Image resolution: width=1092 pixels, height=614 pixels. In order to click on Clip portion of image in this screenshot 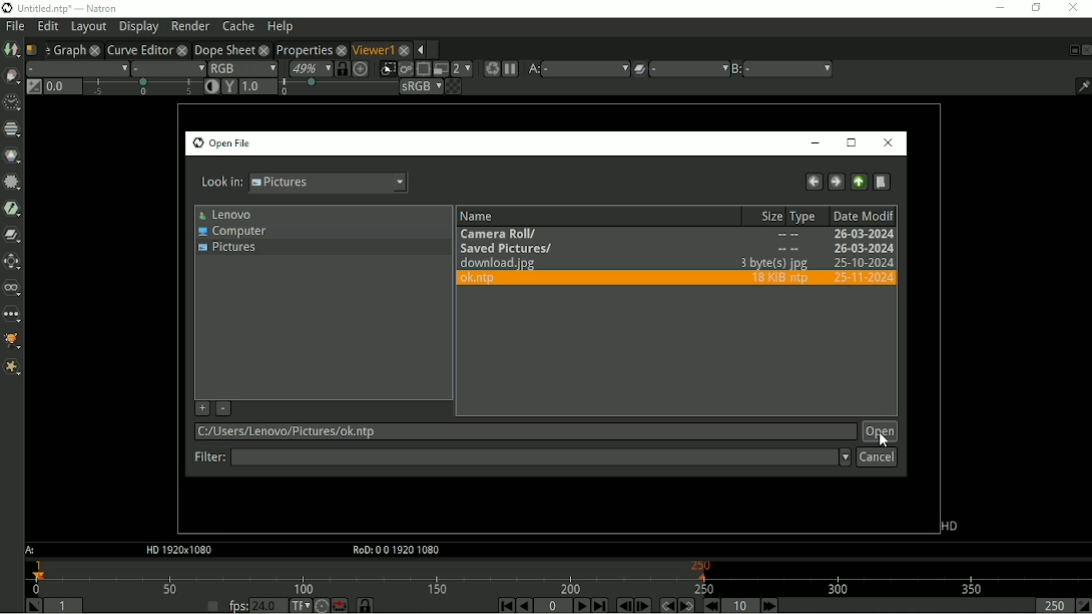, I will do `click(388, 69)`.